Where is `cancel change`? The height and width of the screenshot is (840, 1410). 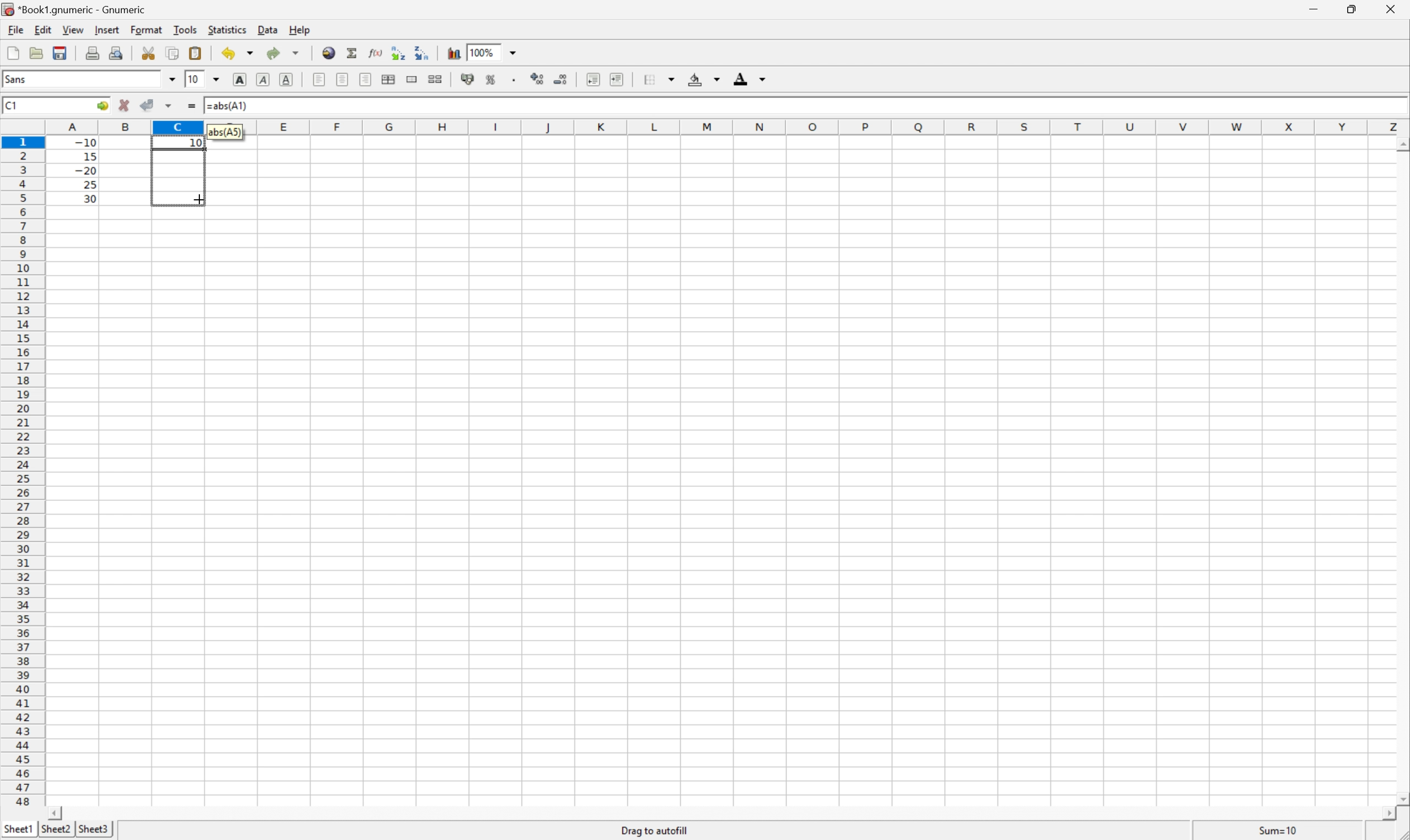 cancel change is located at coordinates (125, 108).